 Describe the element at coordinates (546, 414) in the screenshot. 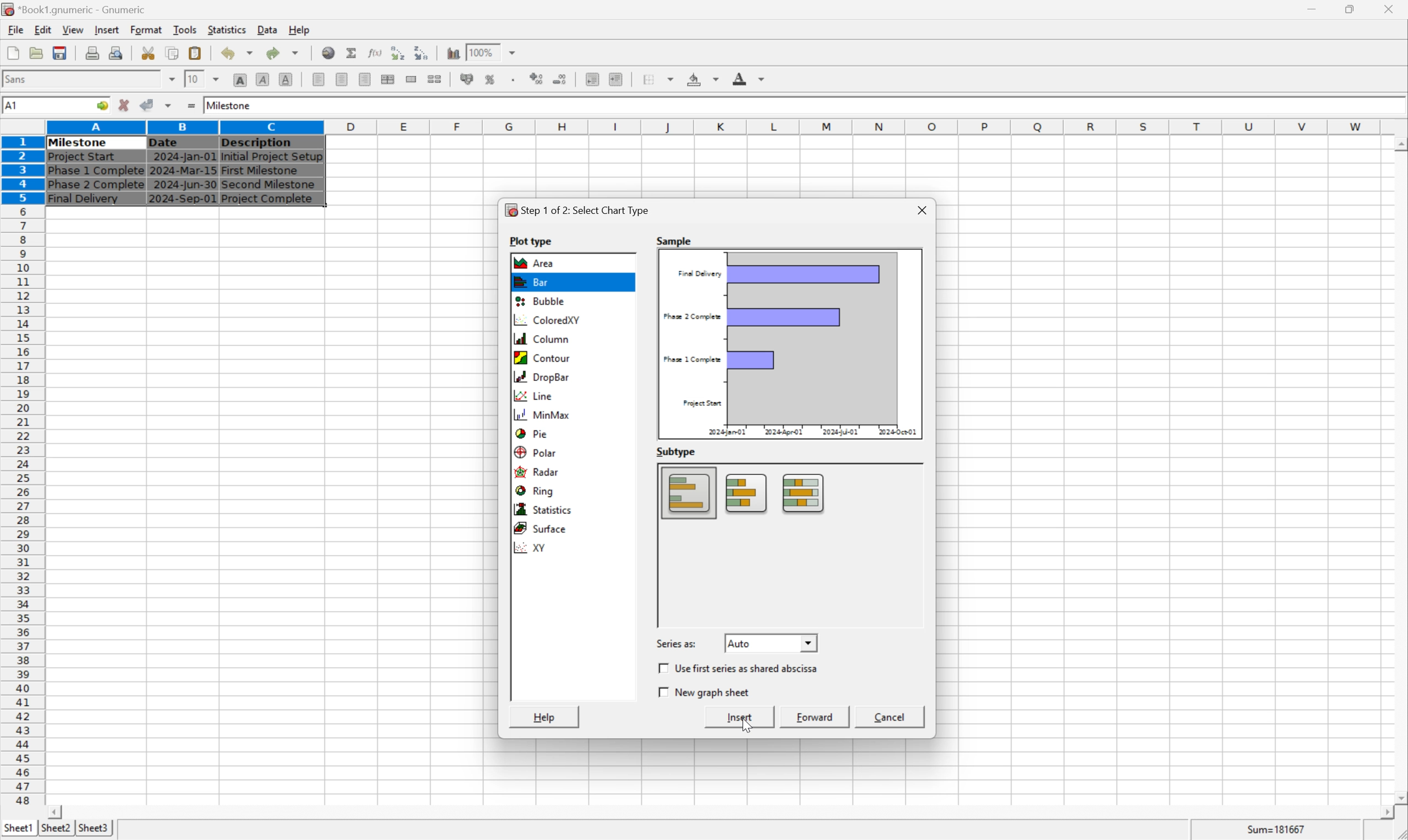

I see `minmax` at that location.